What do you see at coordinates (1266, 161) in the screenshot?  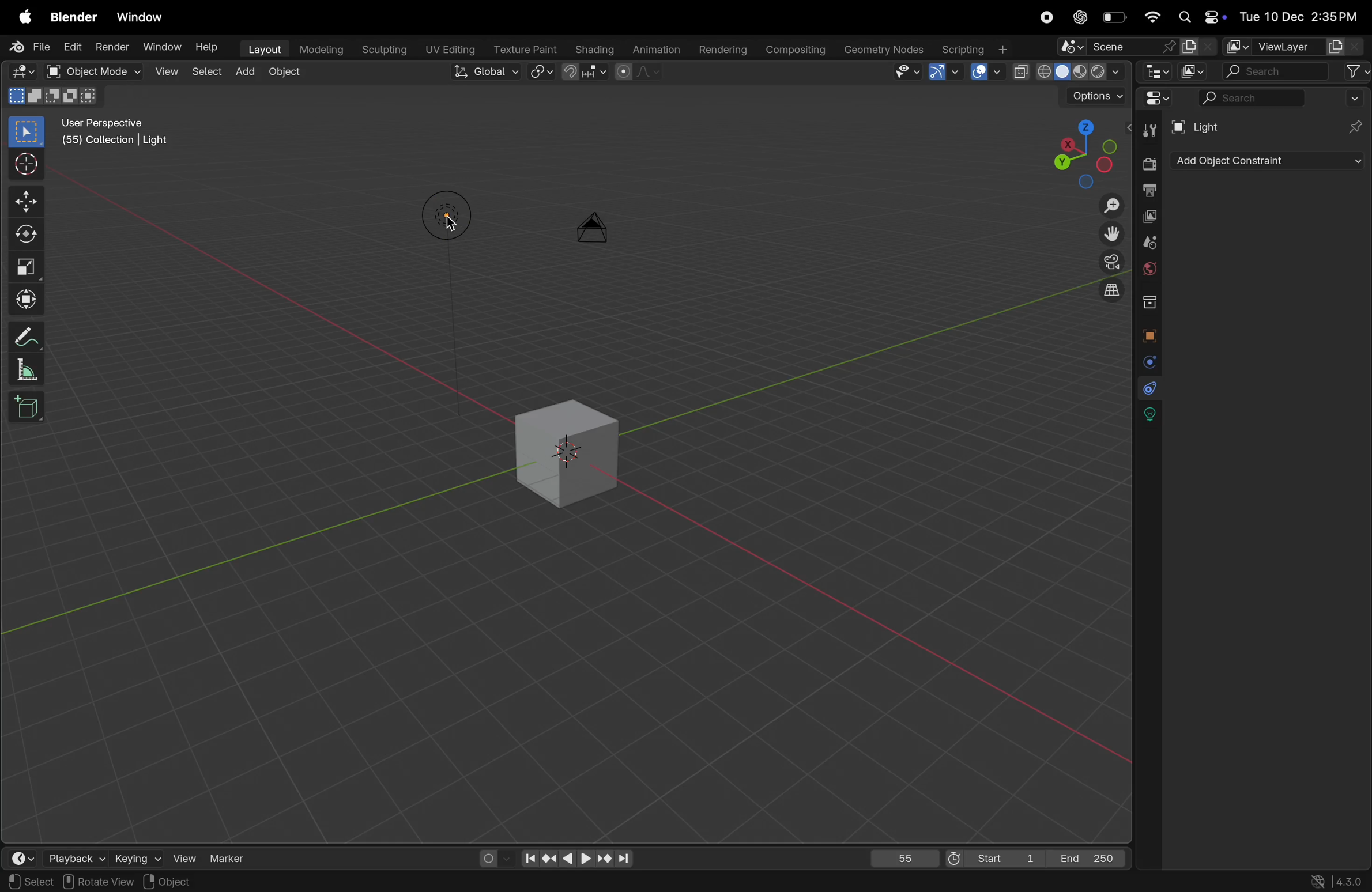 I see `add object contrastaint` at bounding box center [1266, 161].